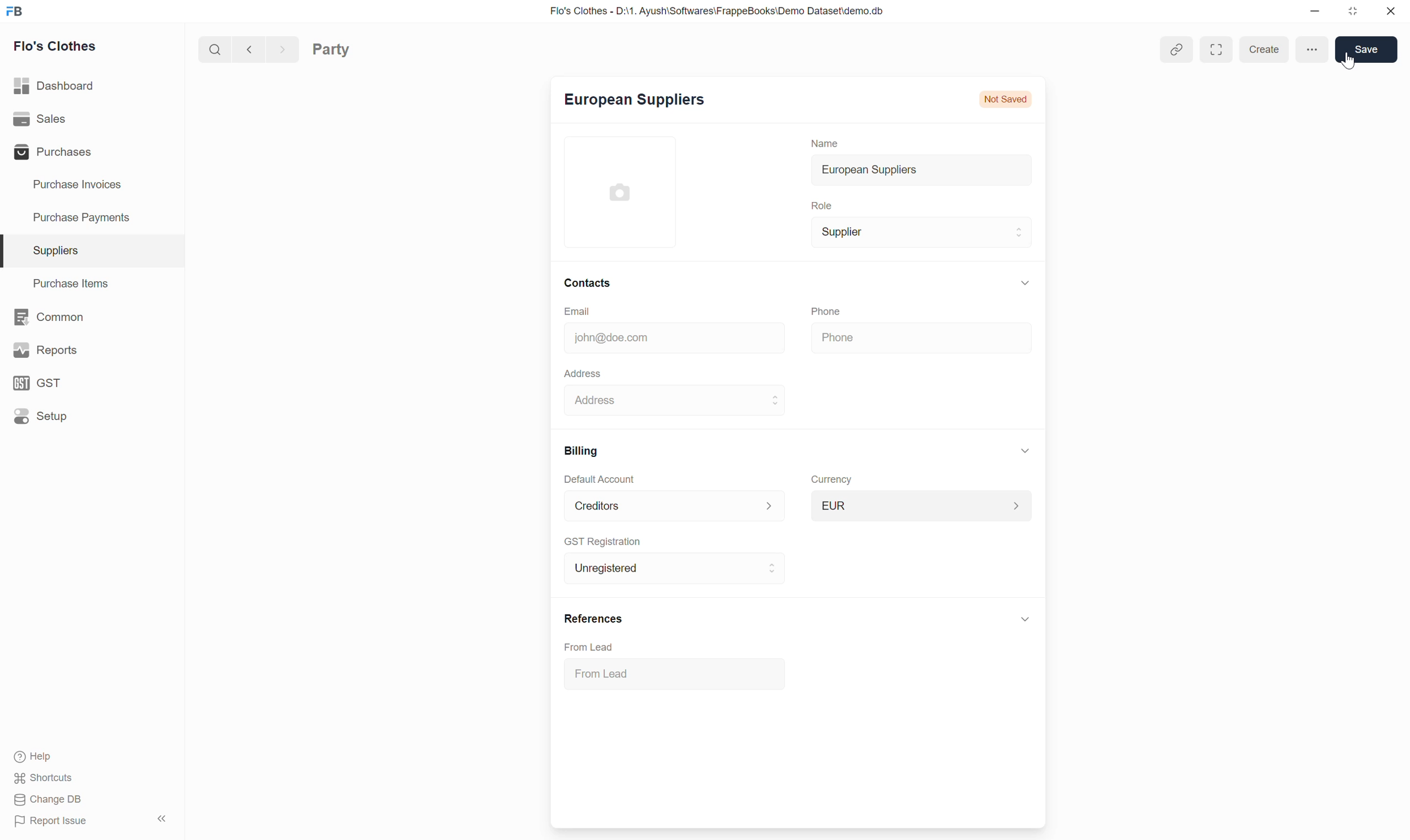 The height and width of the screenshot is (840, 1410). Describe the element at coordinates (576, 449) in the screenshot. I see `Billing` at that location.